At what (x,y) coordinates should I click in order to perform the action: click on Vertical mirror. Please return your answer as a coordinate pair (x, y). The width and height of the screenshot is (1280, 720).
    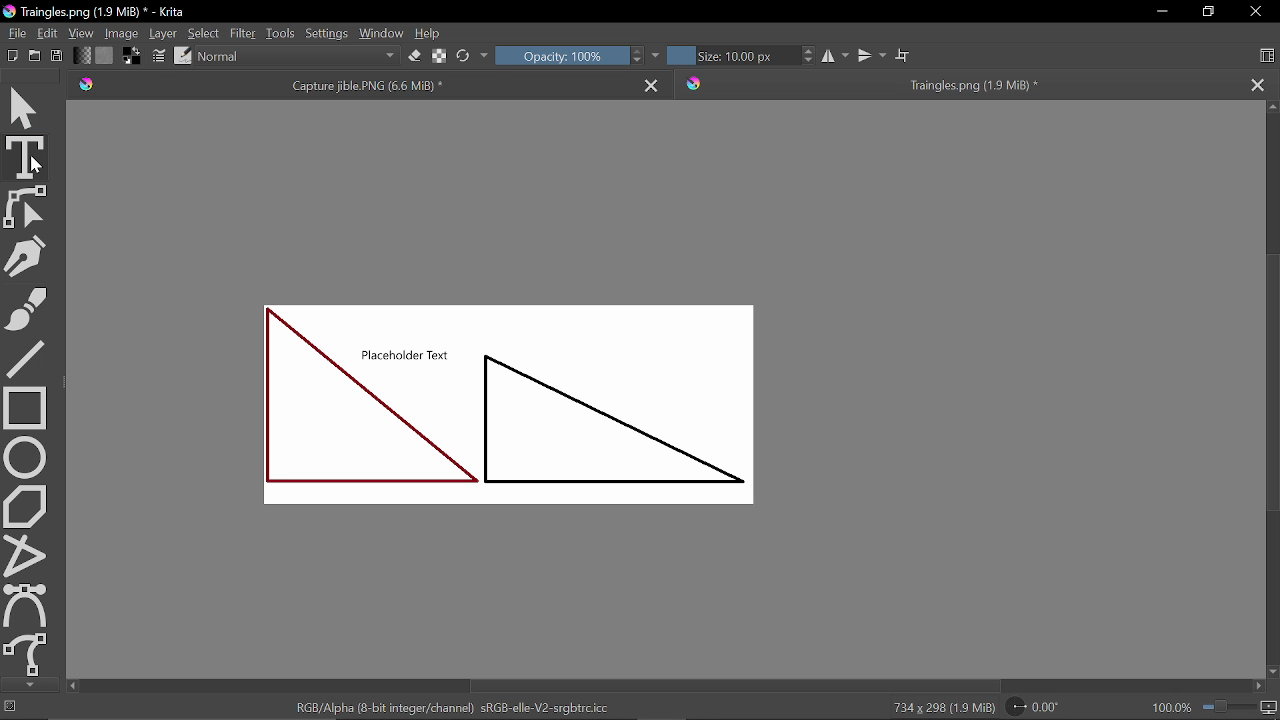
    Looking at the image, I should click on (870, 55).